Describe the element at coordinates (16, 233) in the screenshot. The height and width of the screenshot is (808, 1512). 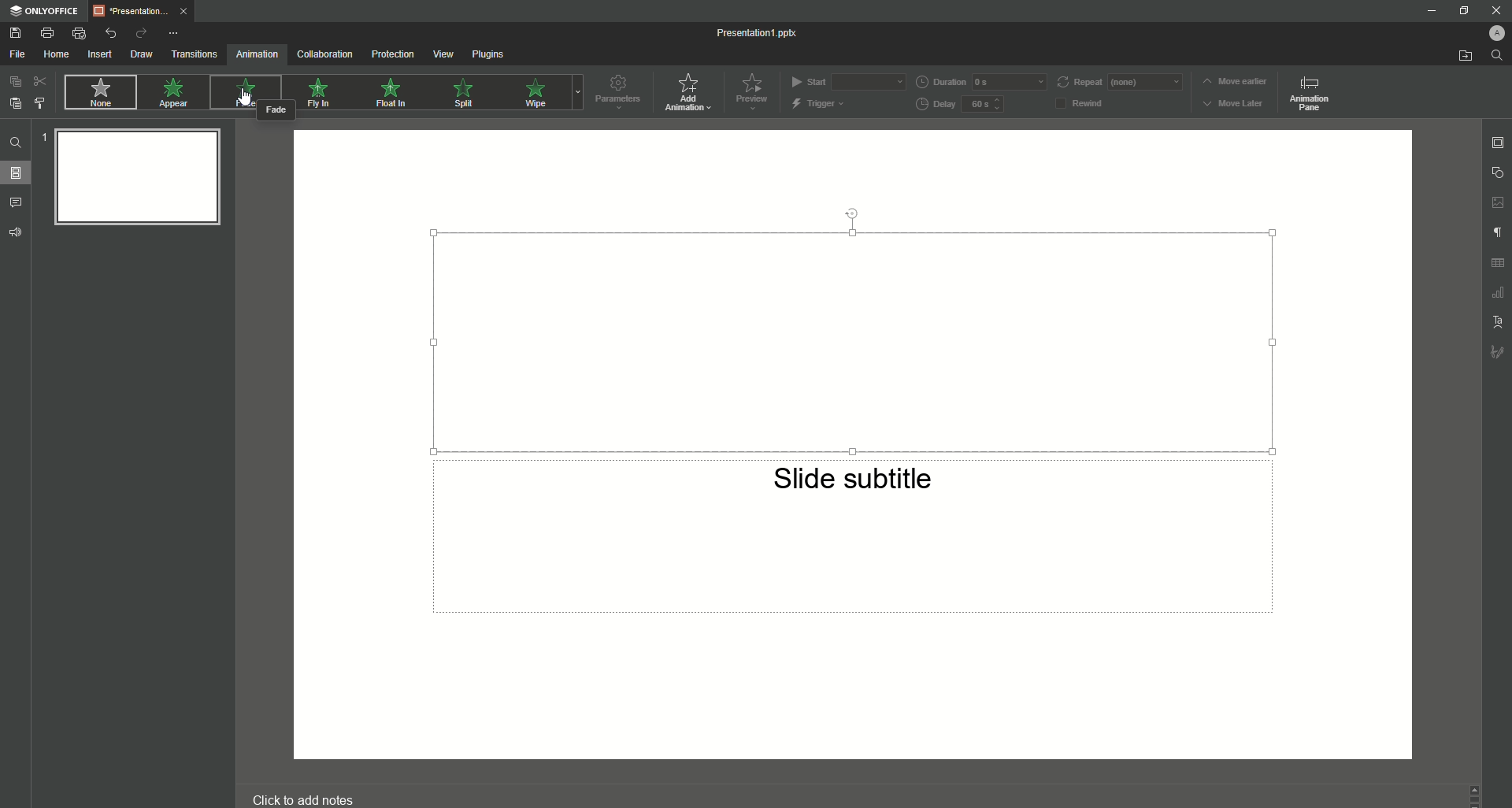
I see `Feedback` at that location.